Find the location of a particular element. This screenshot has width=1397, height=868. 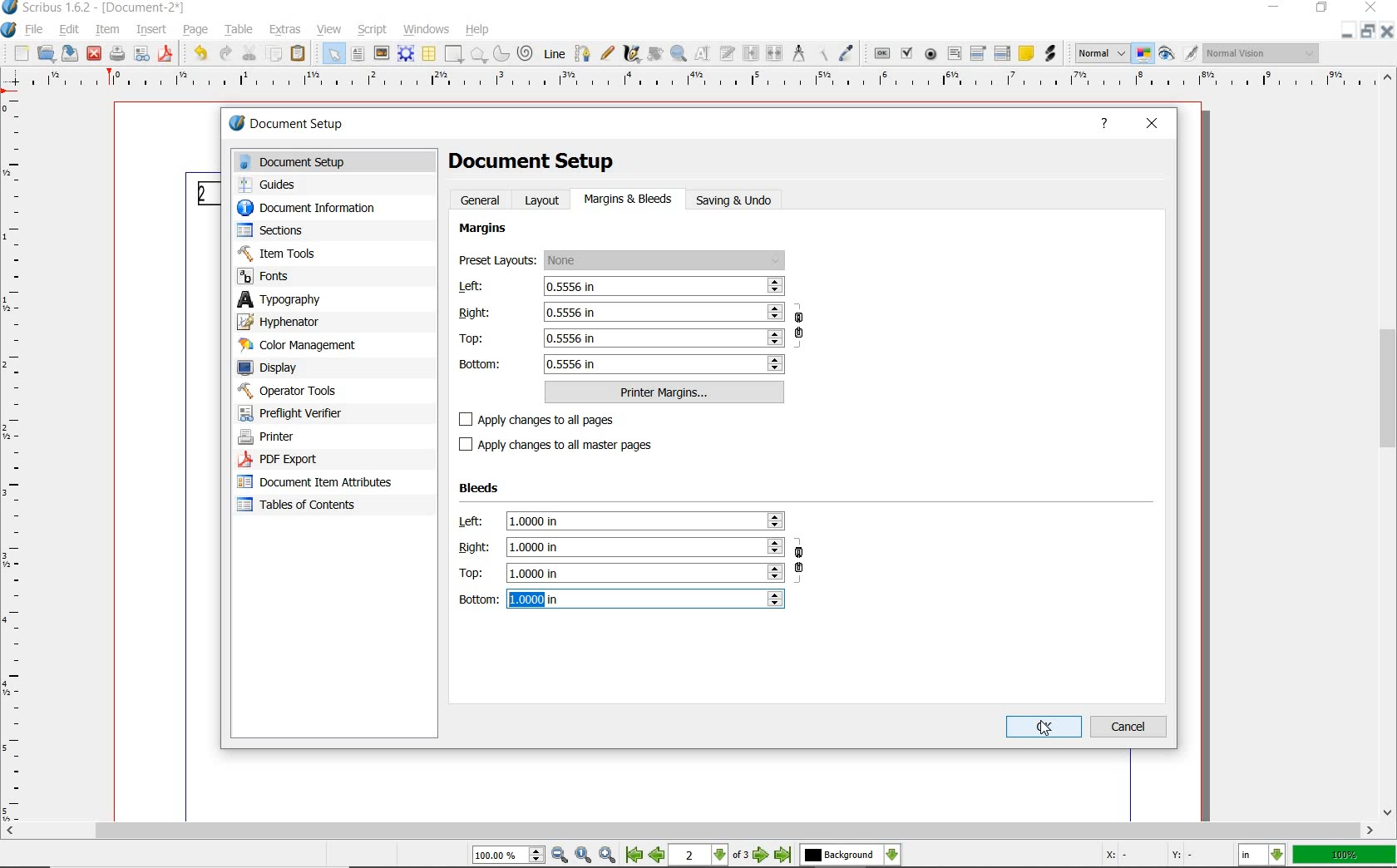

save as pdf is located at coordinates (165, 54).